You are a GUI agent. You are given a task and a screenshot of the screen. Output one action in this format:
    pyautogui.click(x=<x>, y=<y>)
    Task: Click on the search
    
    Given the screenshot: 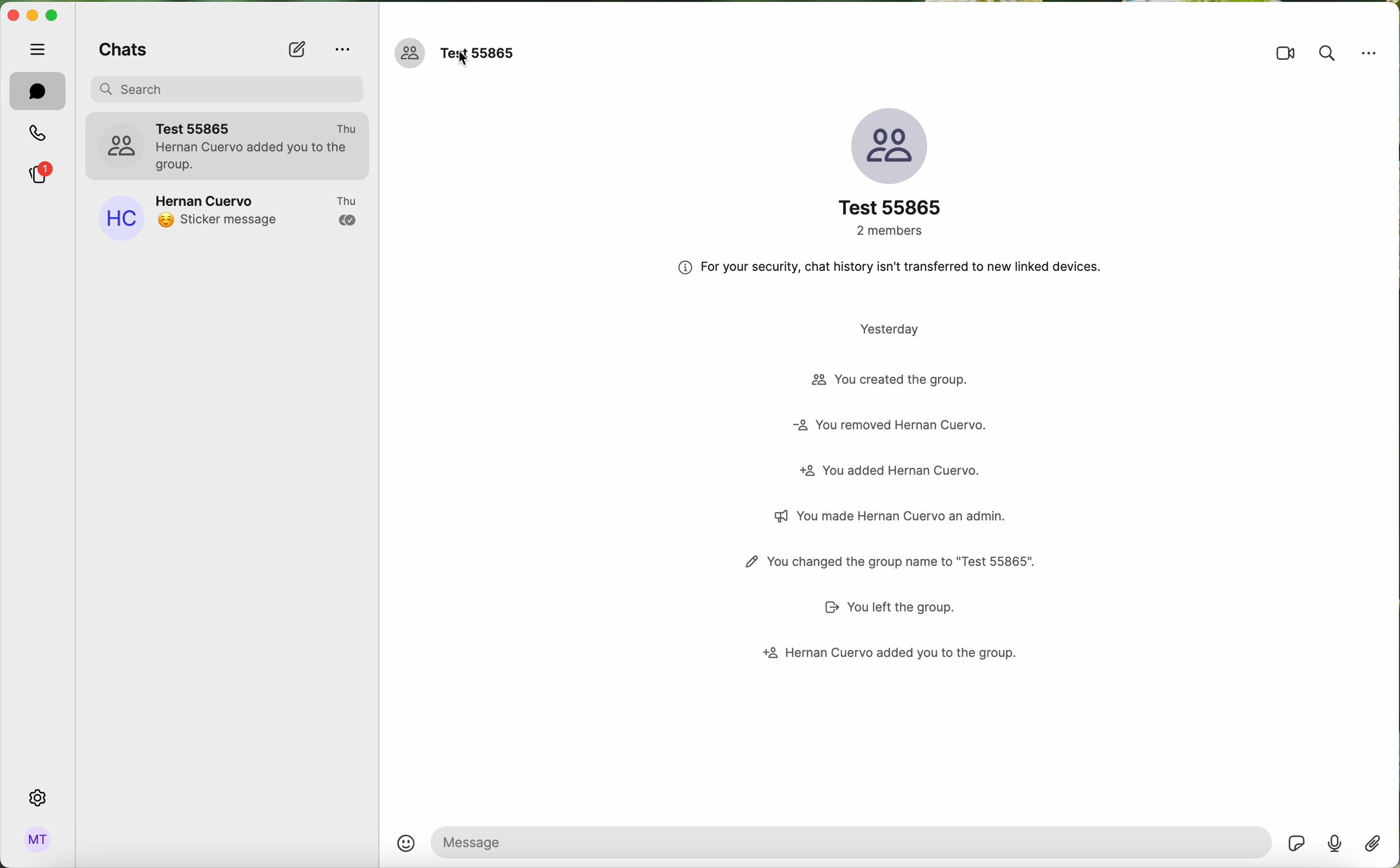 What is the action you would take?
    pyautogui.click(x=1328, y=53)
    